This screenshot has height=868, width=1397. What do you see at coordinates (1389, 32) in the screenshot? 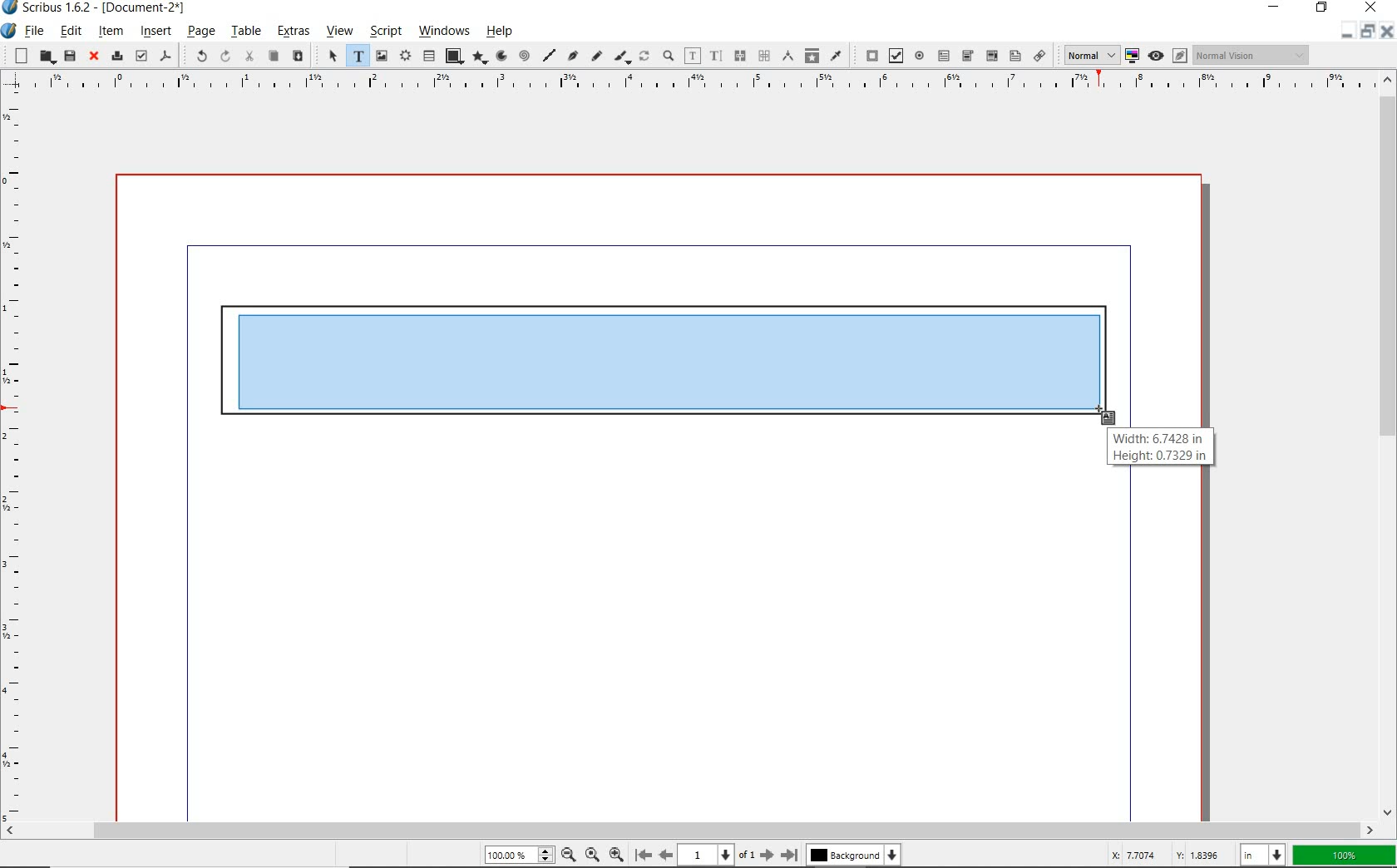
I see `close` at bounding box center [1389, 32].